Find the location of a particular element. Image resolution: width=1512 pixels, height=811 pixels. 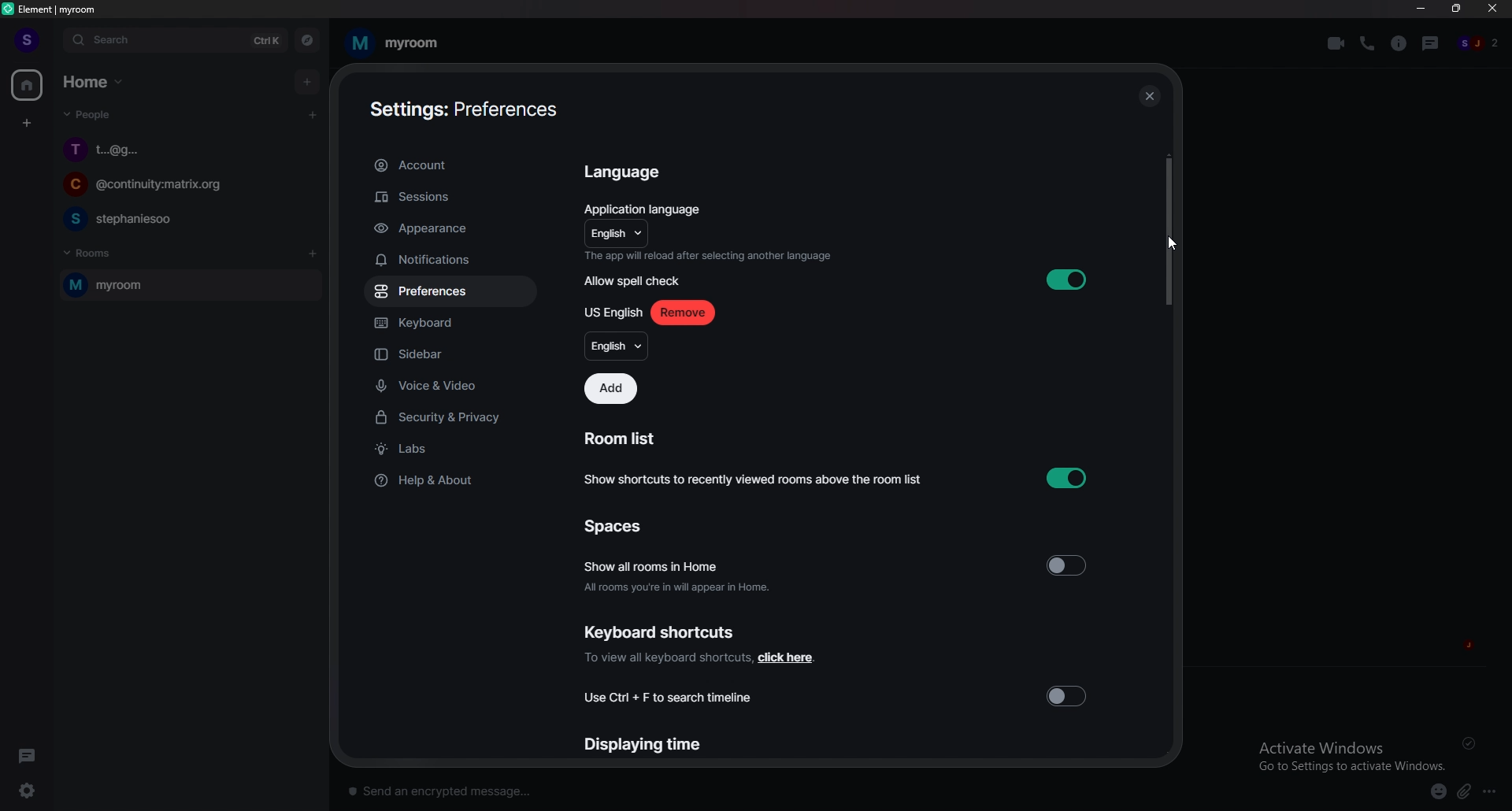

room info is located at coordinates (1400, 43).